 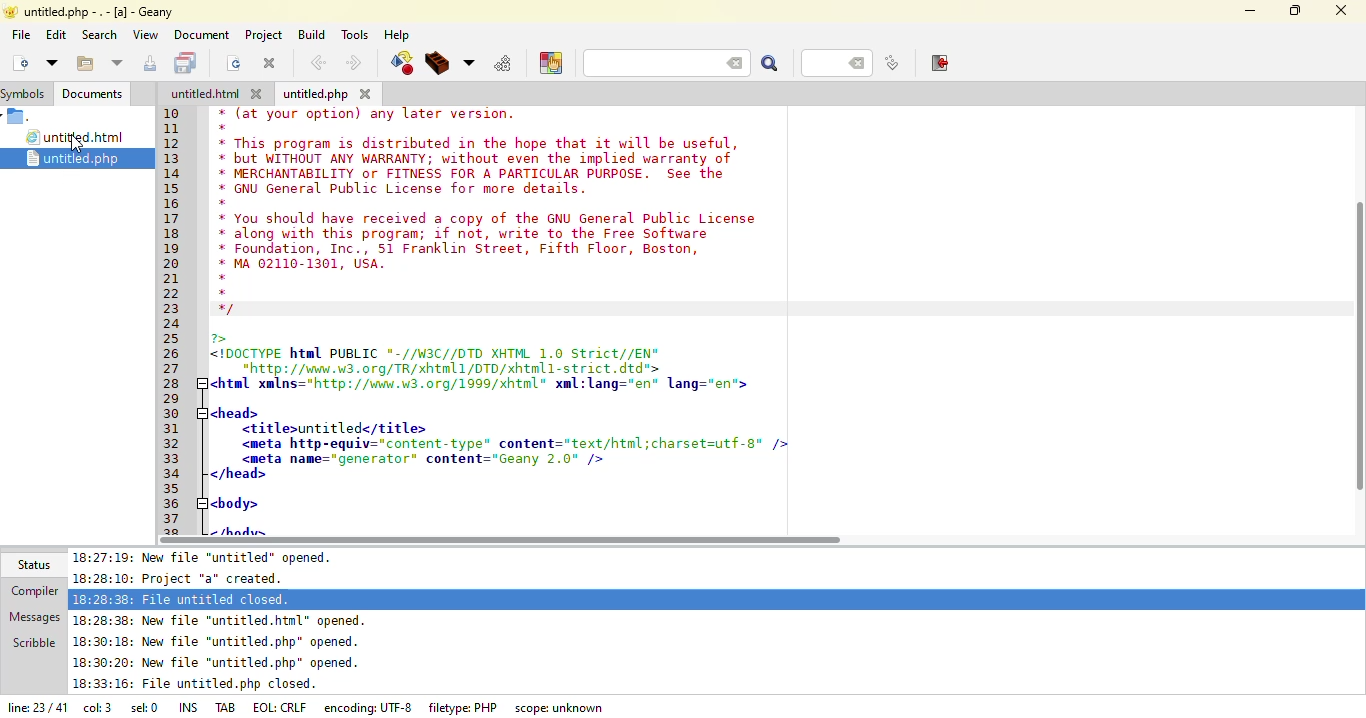 I want to click on cursor, so click(x=85, y=147).